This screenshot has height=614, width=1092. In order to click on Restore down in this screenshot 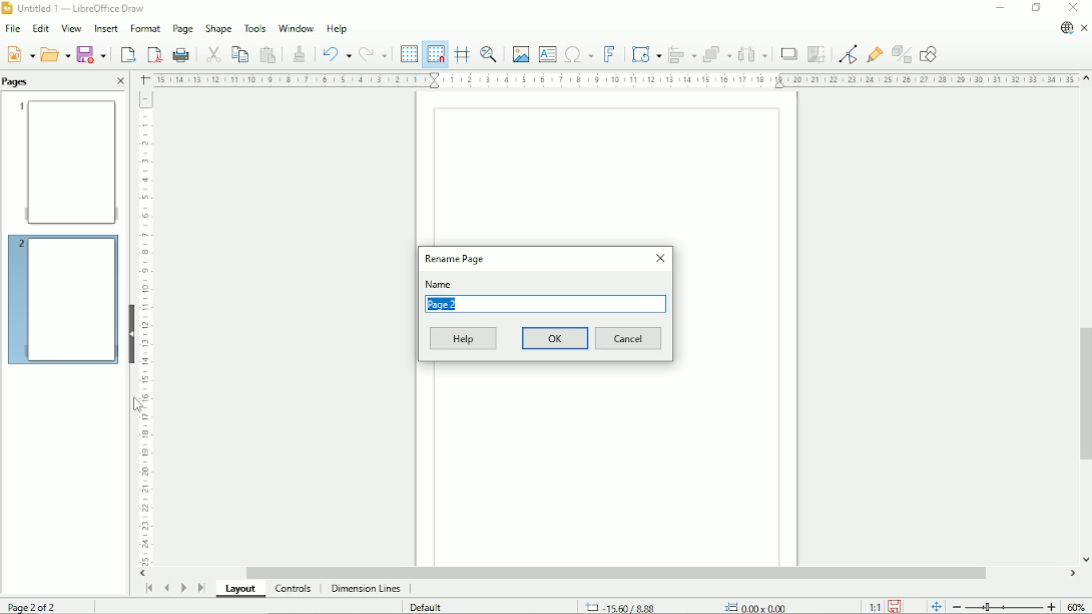, I will do `click(1036, 8)`.